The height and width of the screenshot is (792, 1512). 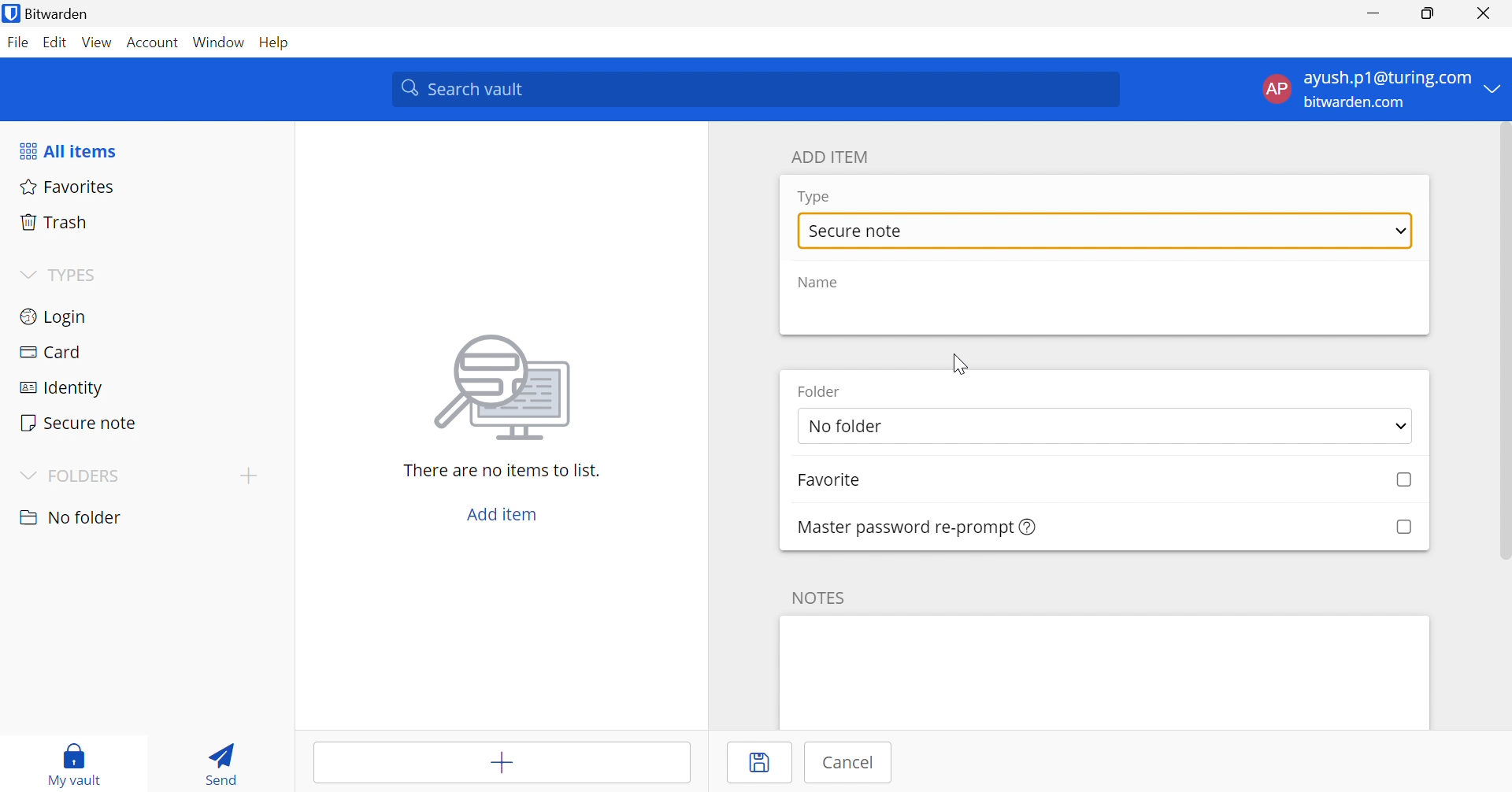 I want to click on ADD ITEM, so click(x=830, y=156).